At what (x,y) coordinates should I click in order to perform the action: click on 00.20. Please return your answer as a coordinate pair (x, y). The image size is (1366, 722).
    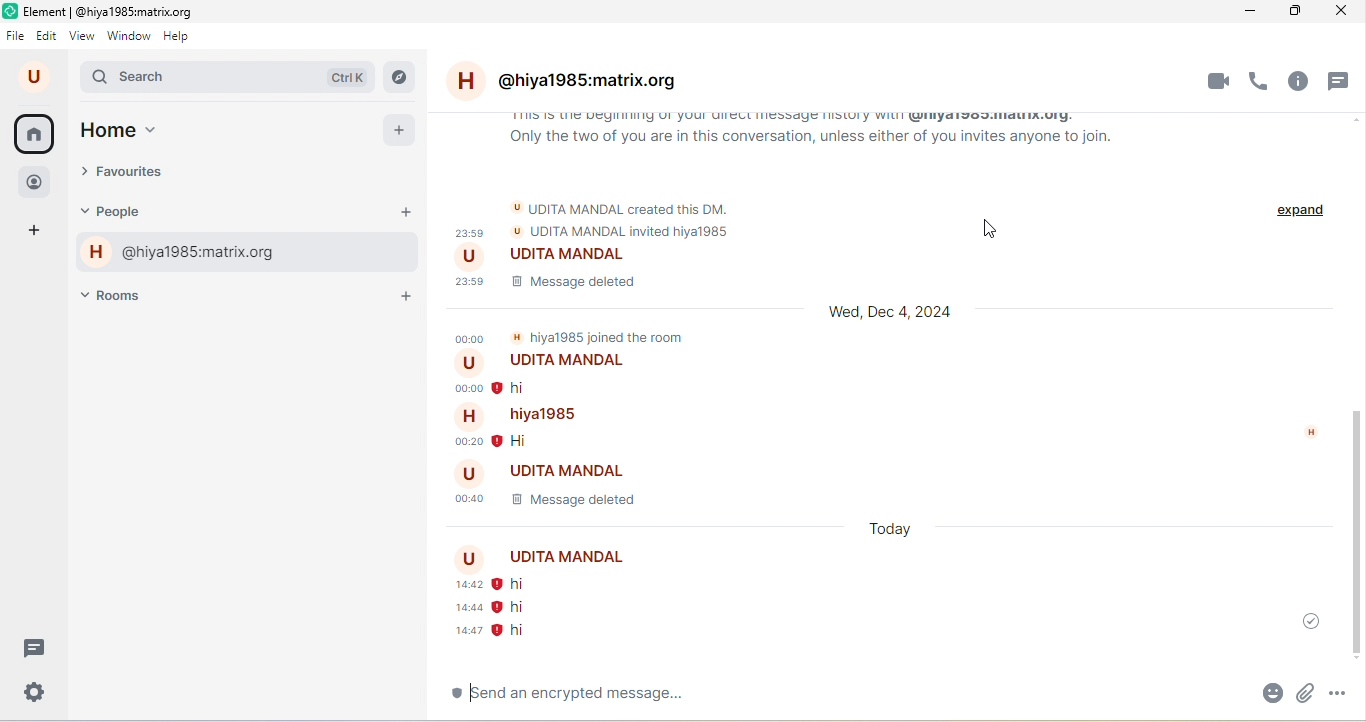
    Looking at the image, I should click on (462, 439).